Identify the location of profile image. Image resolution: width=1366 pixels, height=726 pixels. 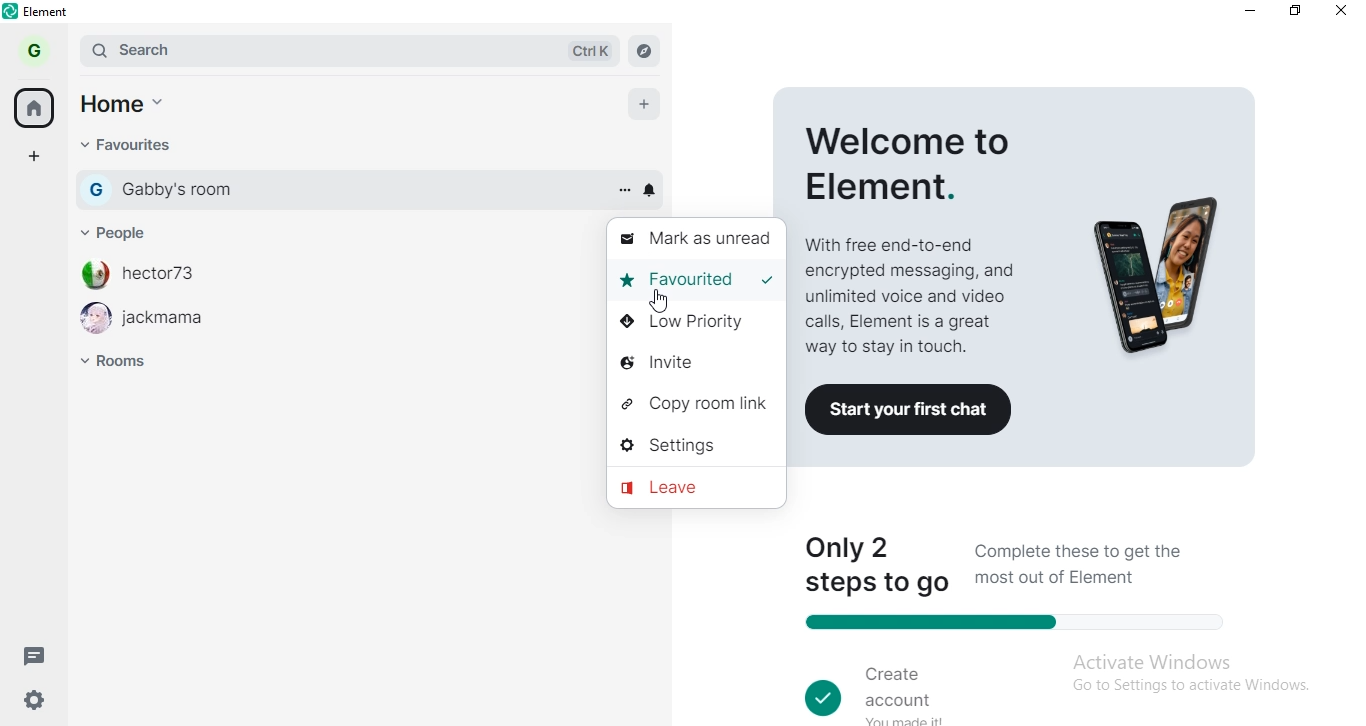
(94, 275).